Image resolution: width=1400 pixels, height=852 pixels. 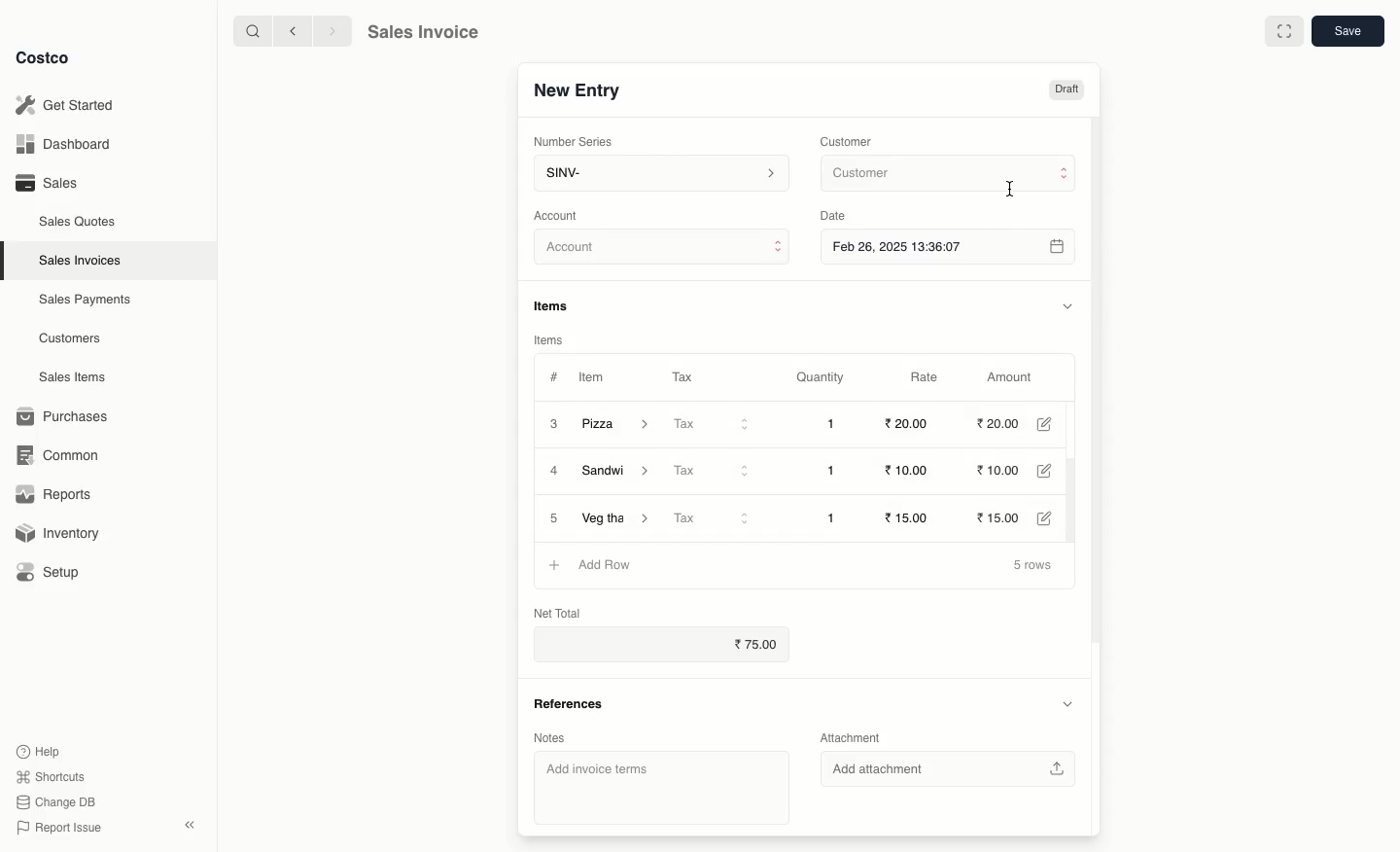 I want to click on 15.00, so click(x=914, y=516).